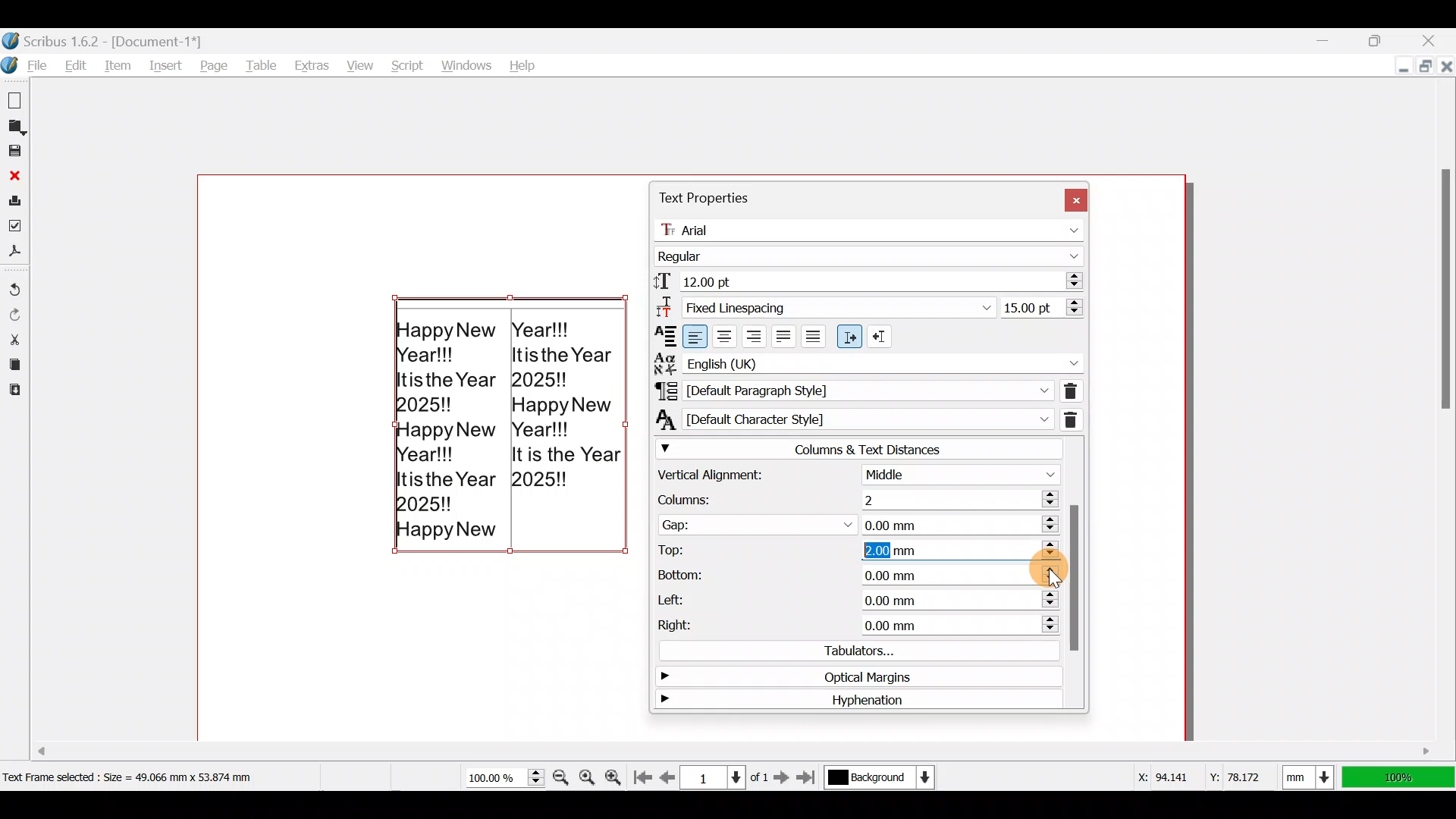 This screenshot has width=1456, height=819. I want to click on Text language, so click(868, 361).